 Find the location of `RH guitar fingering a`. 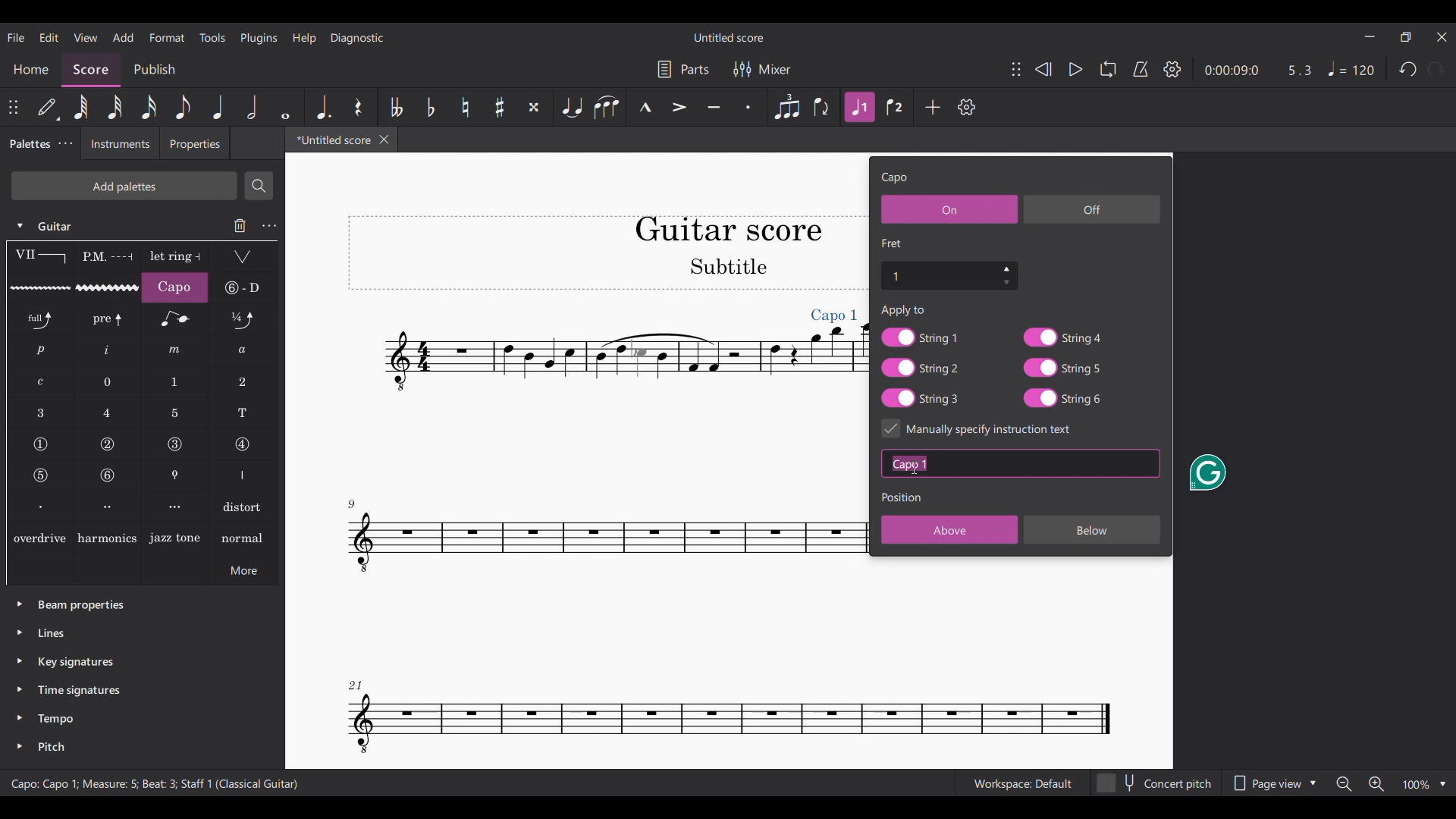

RH guitar fingering a is located at coordinates (243, 350).